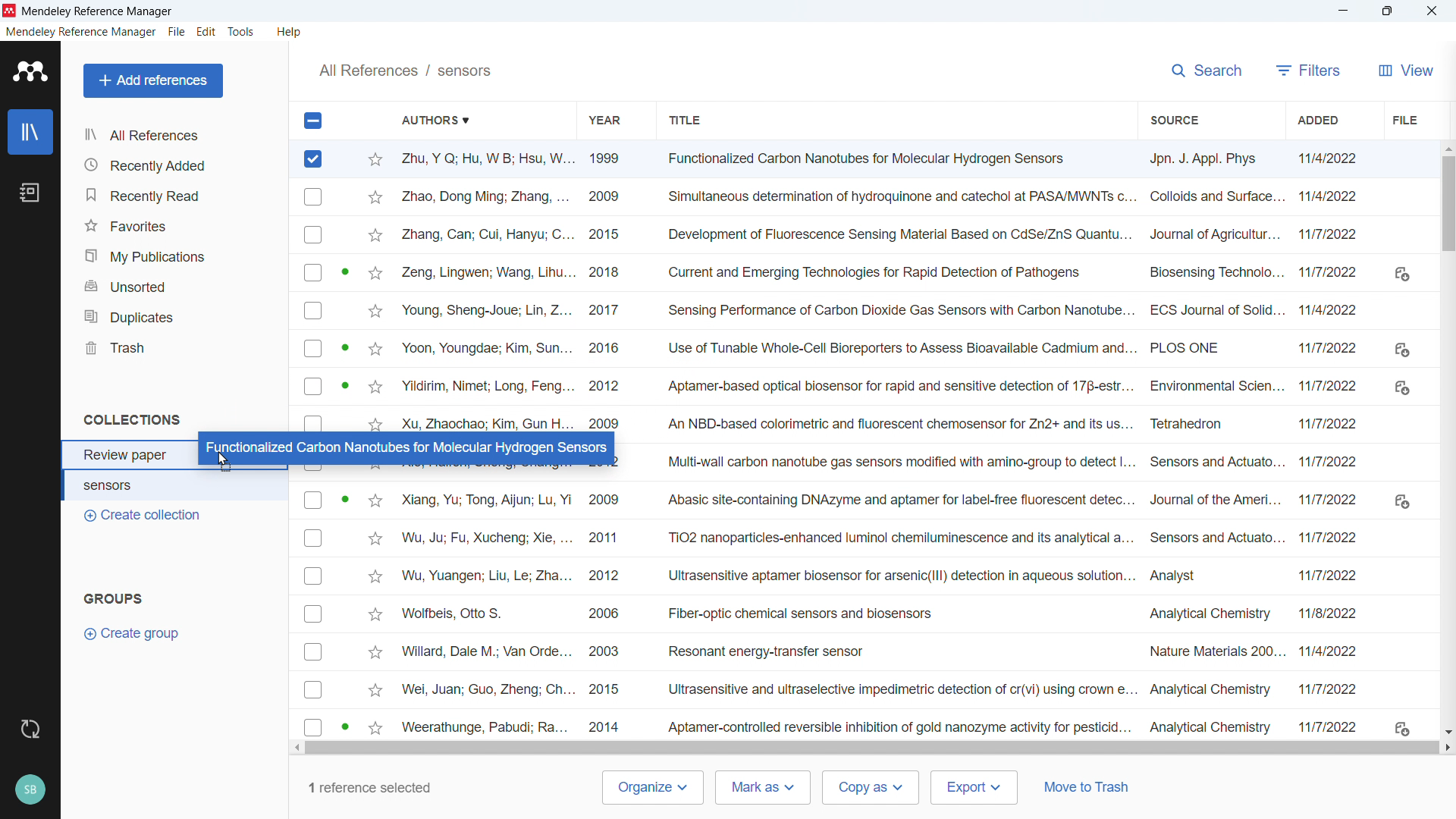 This screenshot has width=1456, height=819. I want to click on file , so click(1403, 120).